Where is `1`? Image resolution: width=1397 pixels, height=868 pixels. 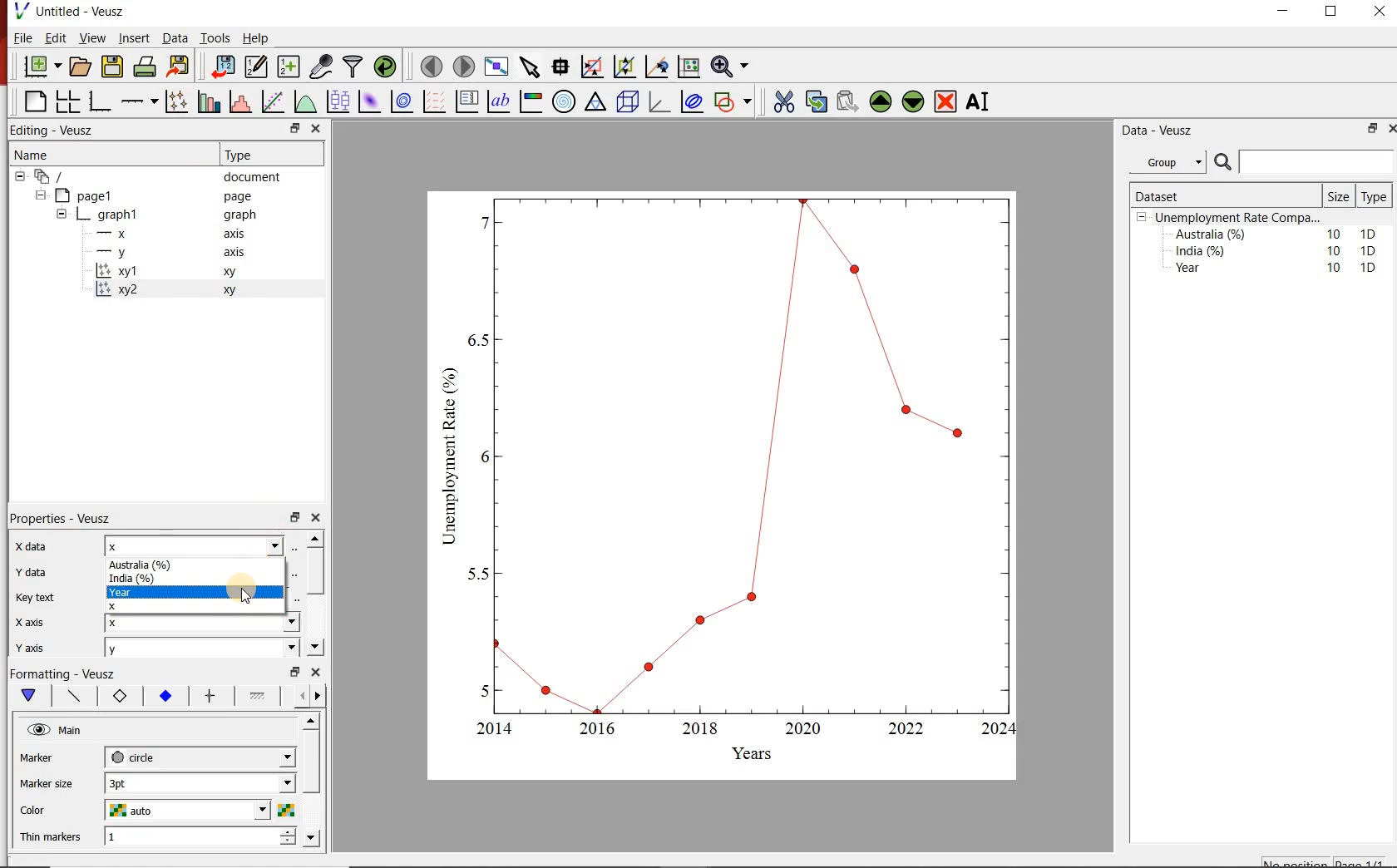
1 is located at coordinates (186, 837).